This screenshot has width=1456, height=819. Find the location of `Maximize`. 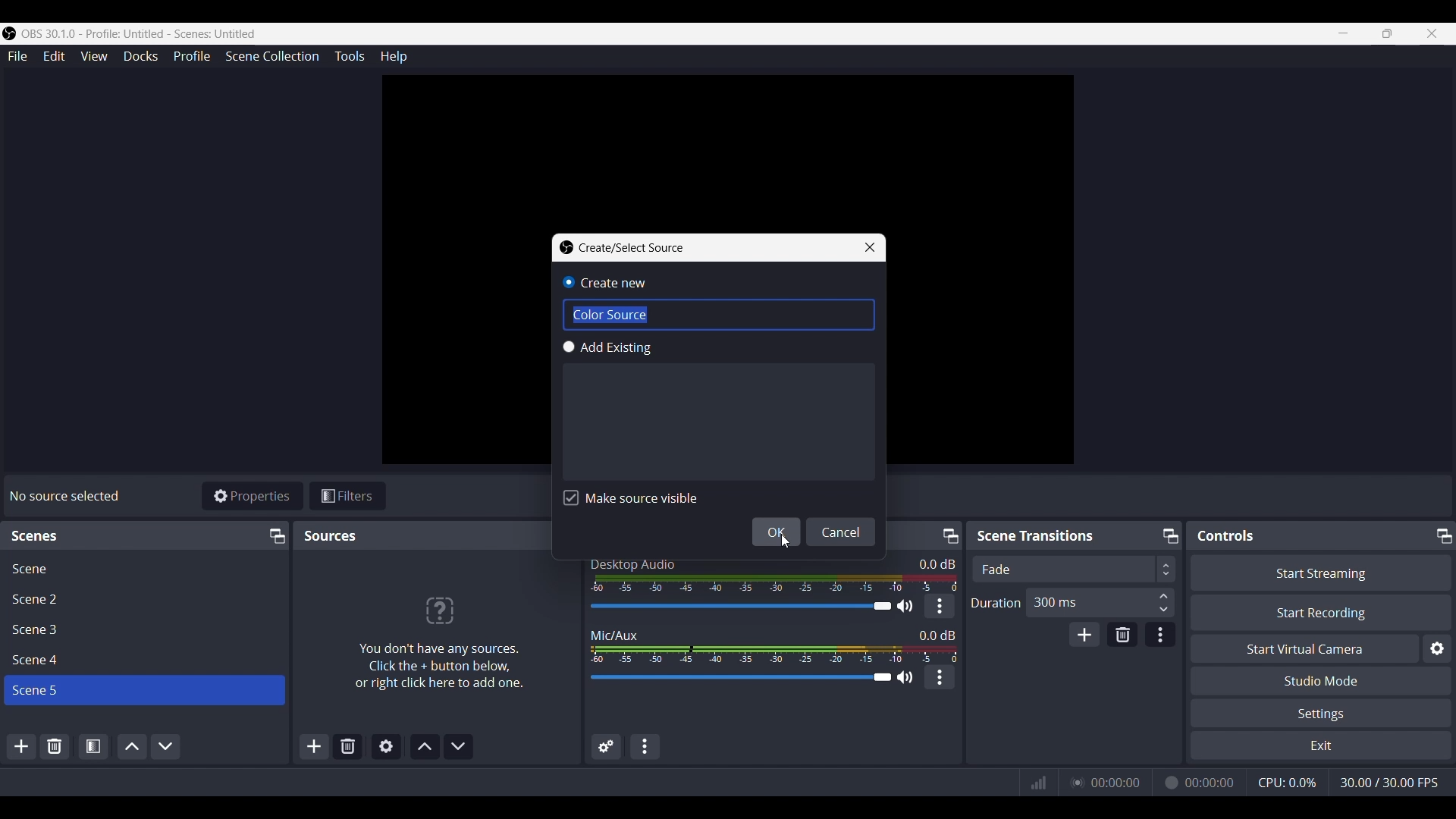

Maximize is located at coordinates (1386, 34).